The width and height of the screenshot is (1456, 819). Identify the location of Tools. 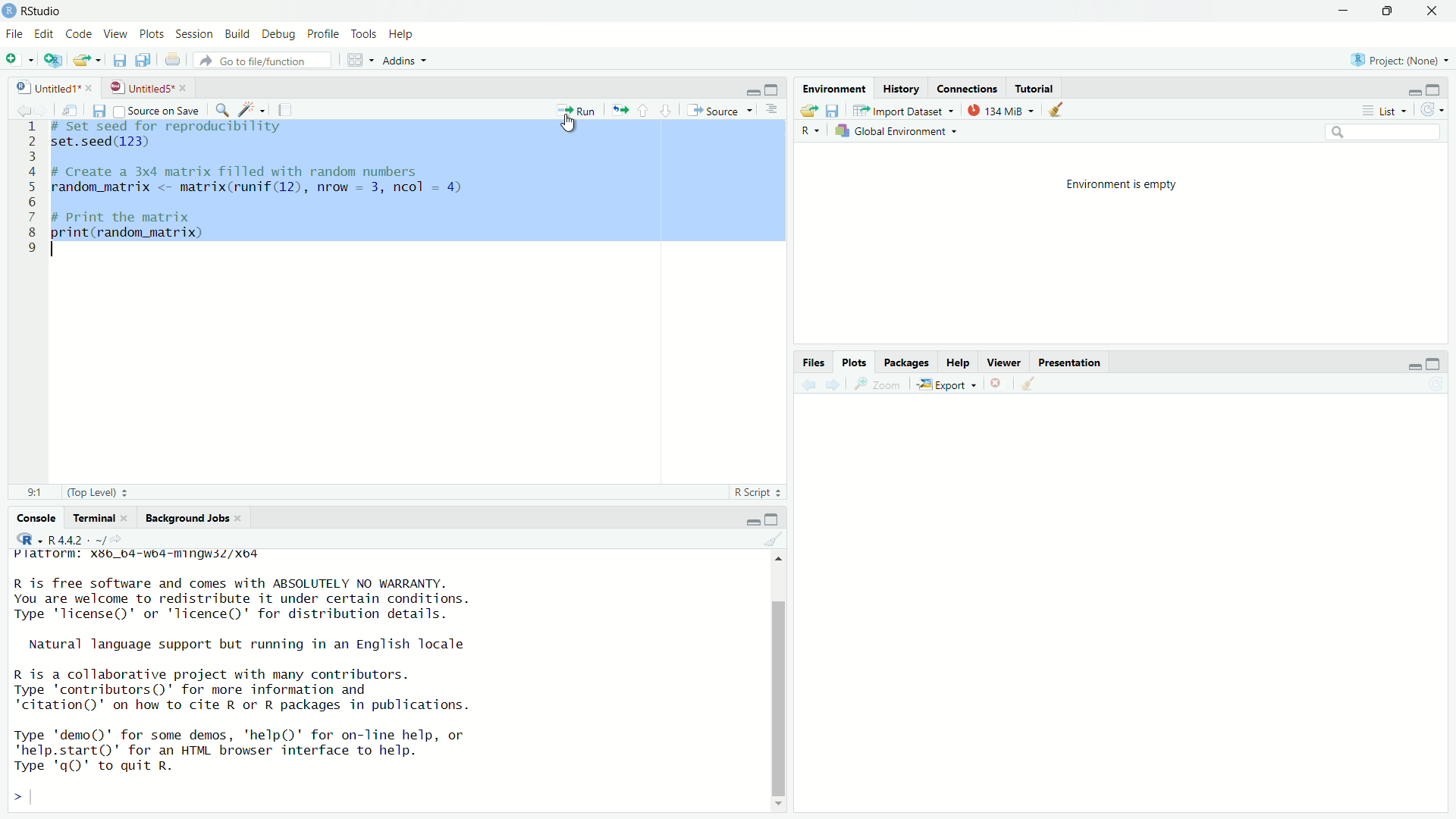
(362, 33).